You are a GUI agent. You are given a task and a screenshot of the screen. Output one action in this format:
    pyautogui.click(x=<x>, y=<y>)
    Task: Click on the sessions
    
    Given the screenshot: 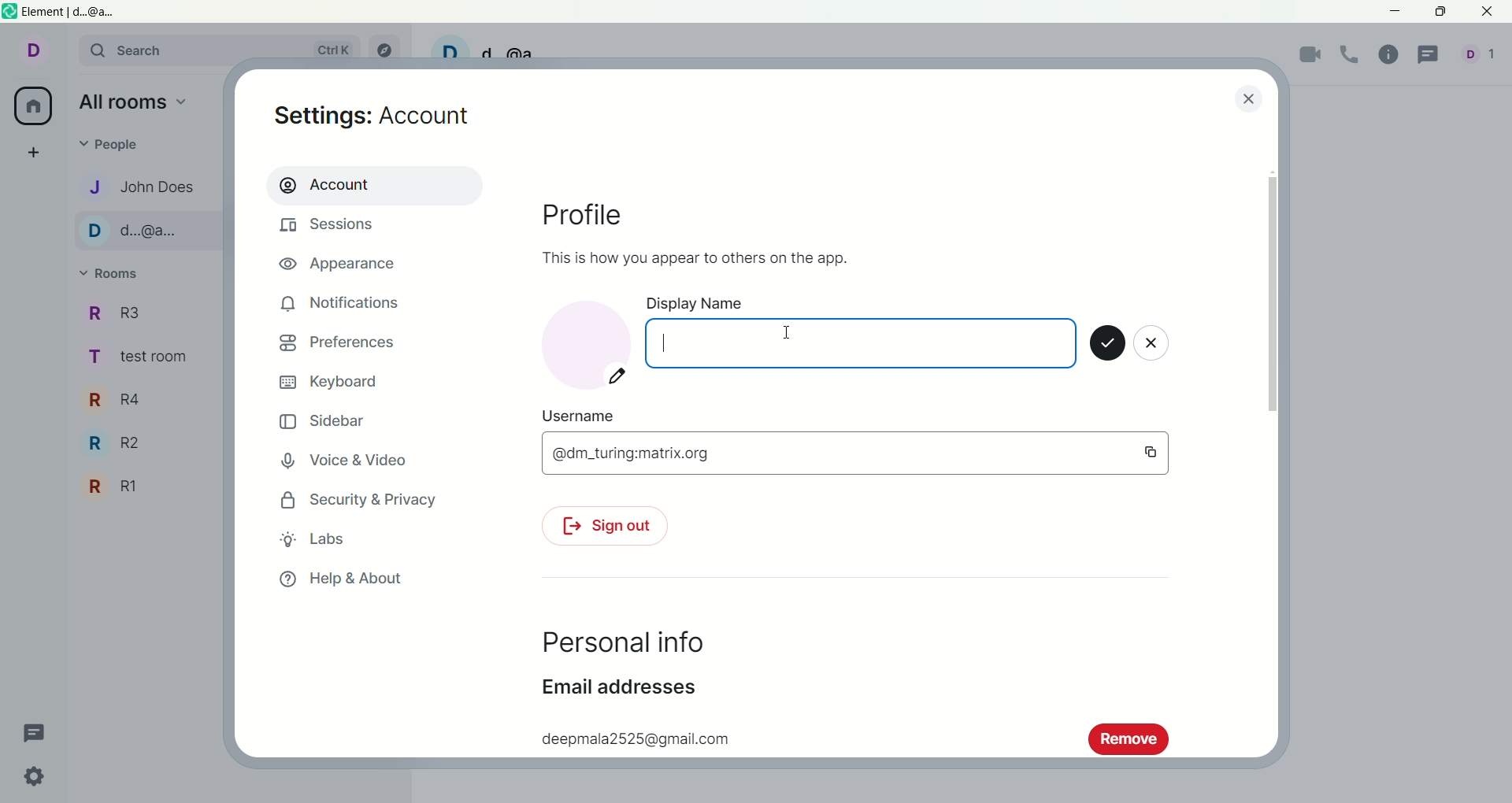 What is the action you would take?
    pyautogui.click(x=332, y=228)
    